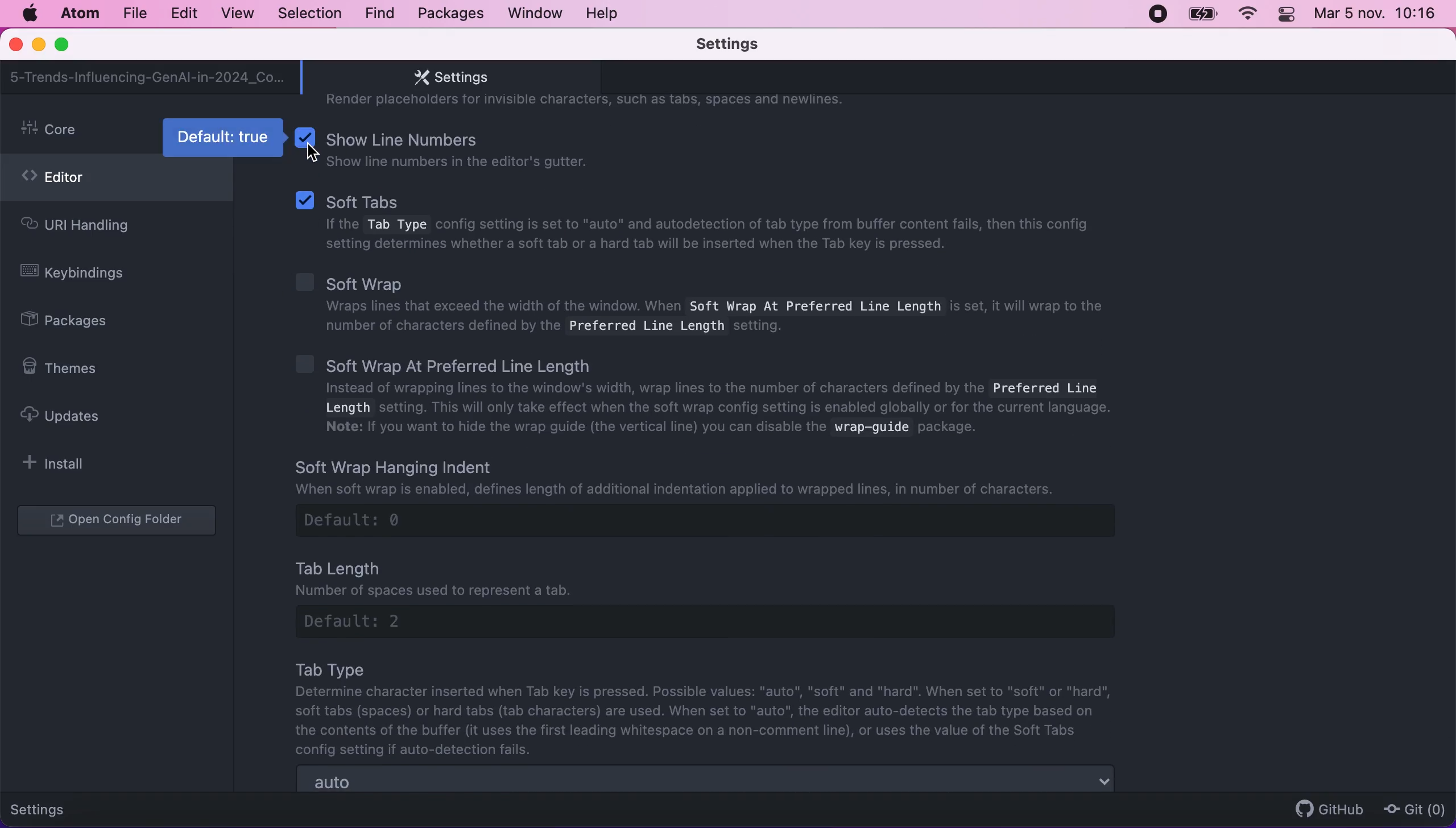  What do you see at coordinates (479, 148) in the screenshot?
I see `show line numbers` at bounding box center [479, 148].